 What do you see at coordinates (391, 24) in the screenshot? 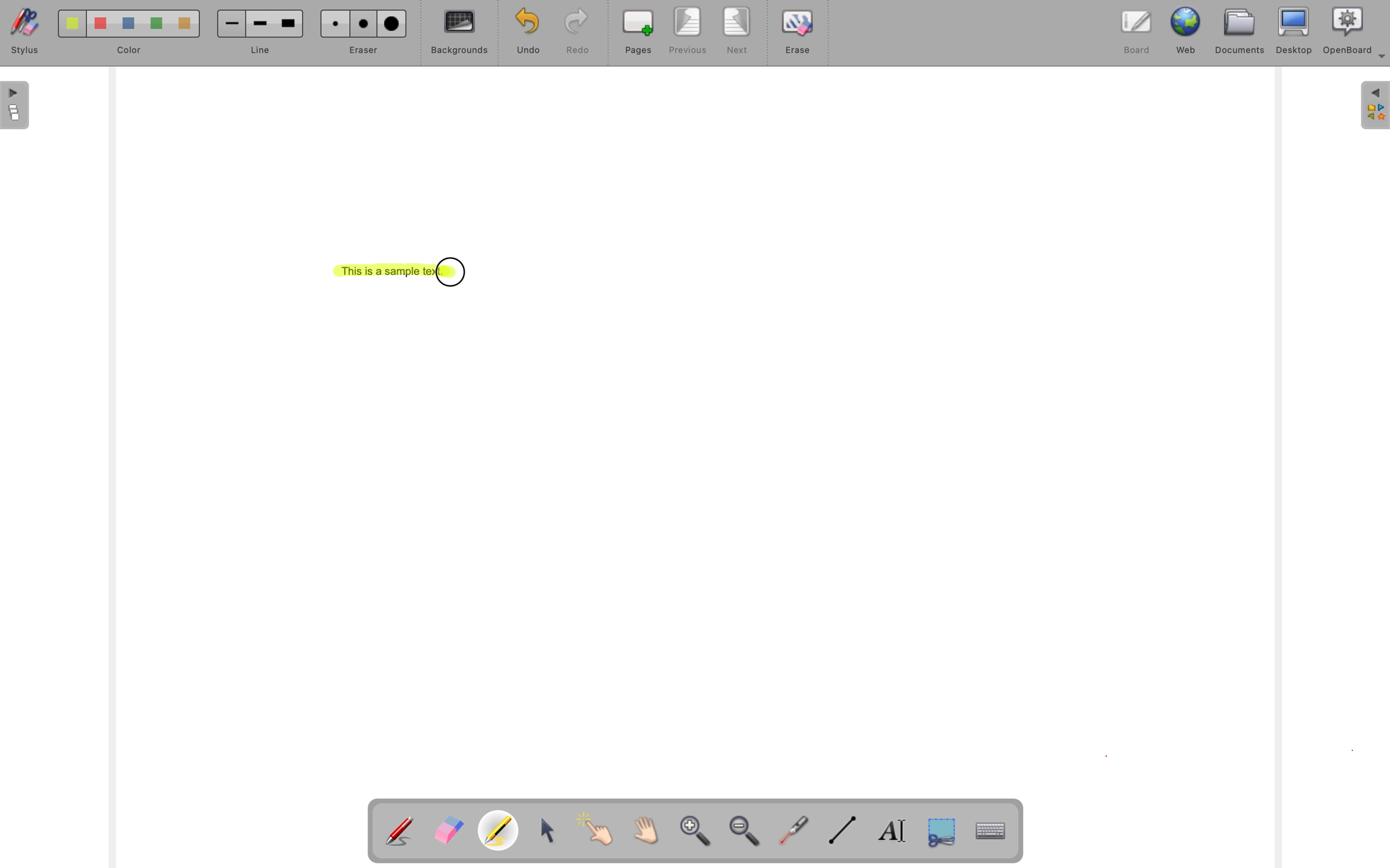
I see `Large Eraser` at bounding box center [391, 24].